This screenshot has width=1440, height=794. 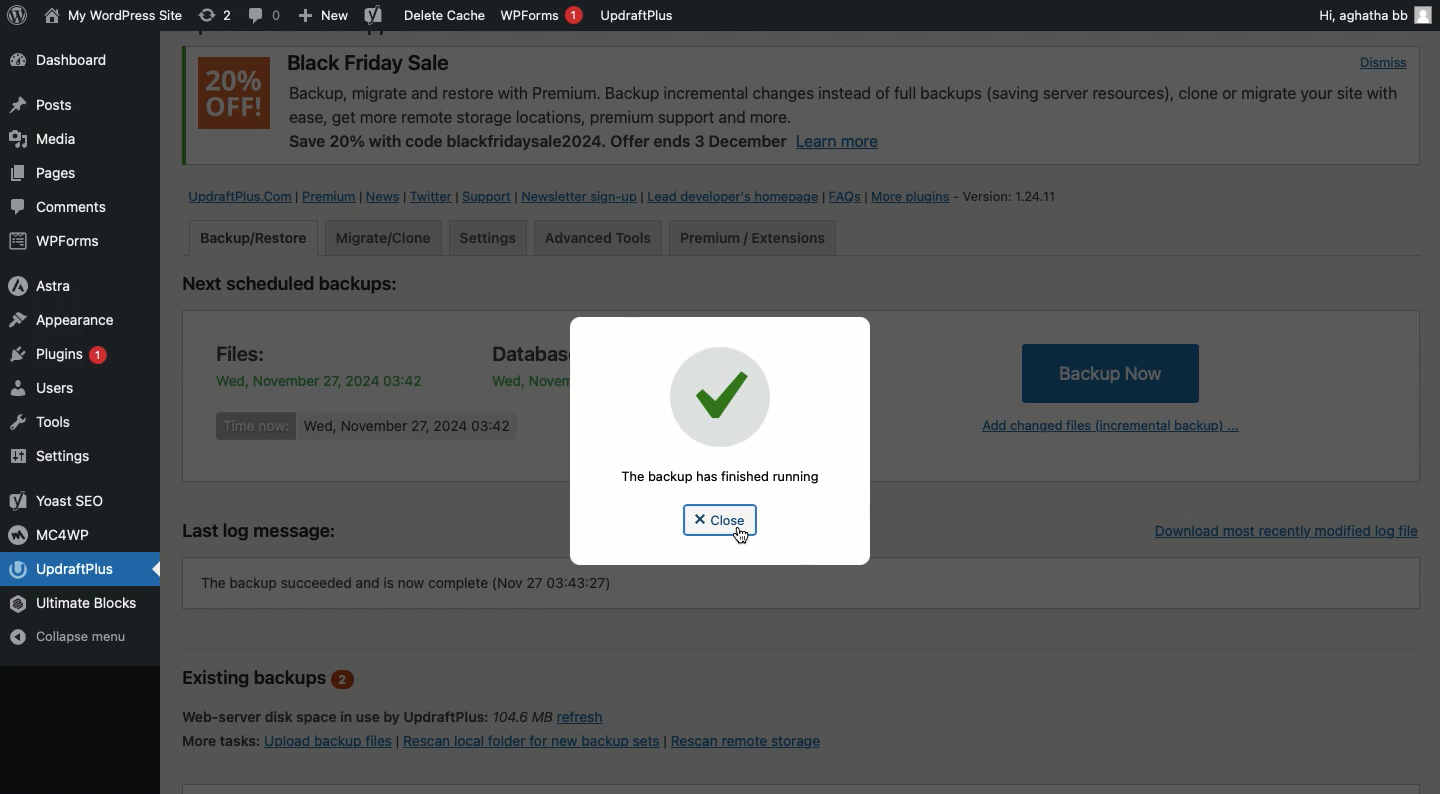 What do you see at coordinates (1280, 527) in the screenshot?
I see `Download most recently modified log file` at bounding box center [1280, 527].